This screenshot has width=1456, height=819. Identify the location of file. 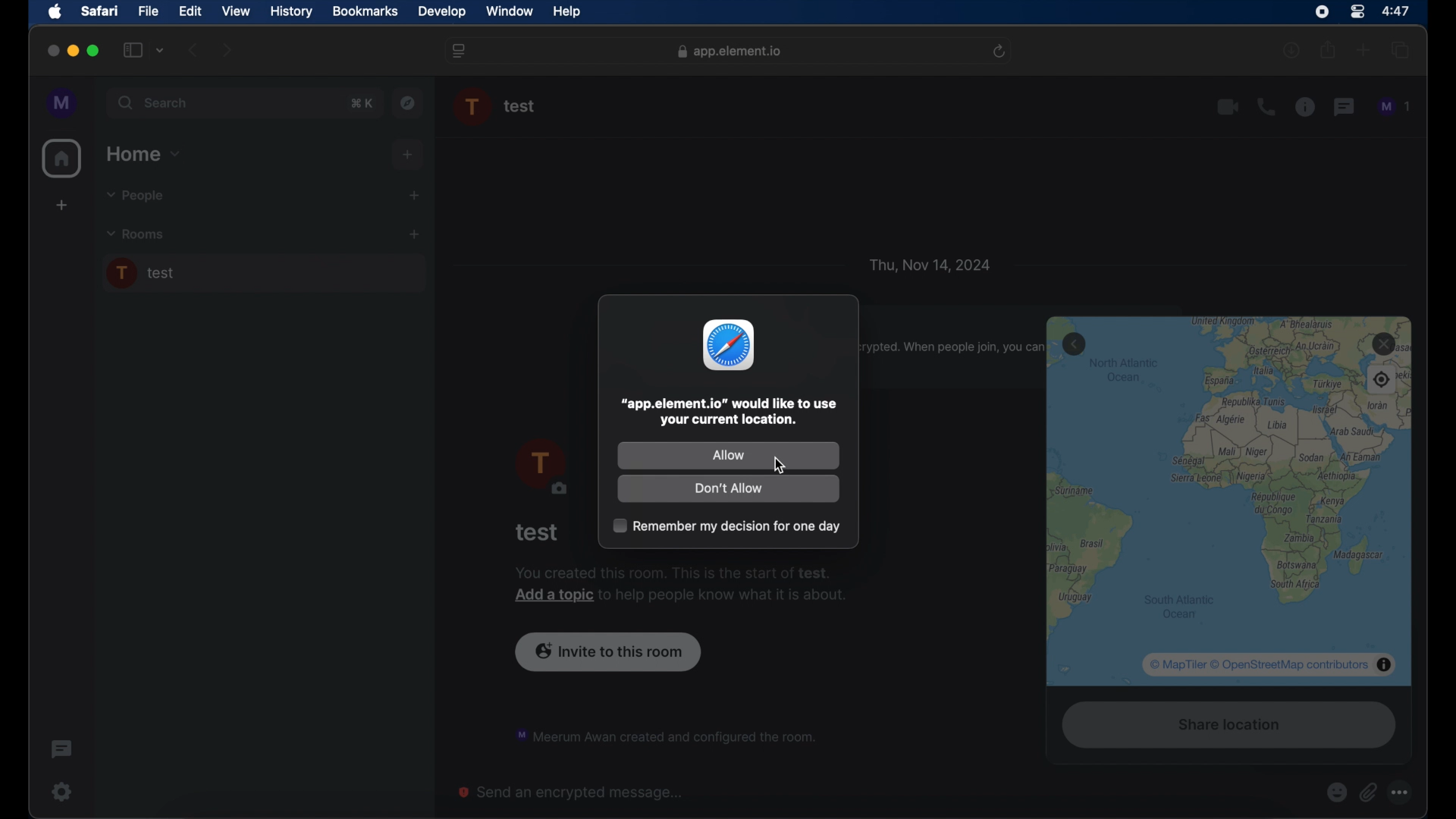
(149, 11).